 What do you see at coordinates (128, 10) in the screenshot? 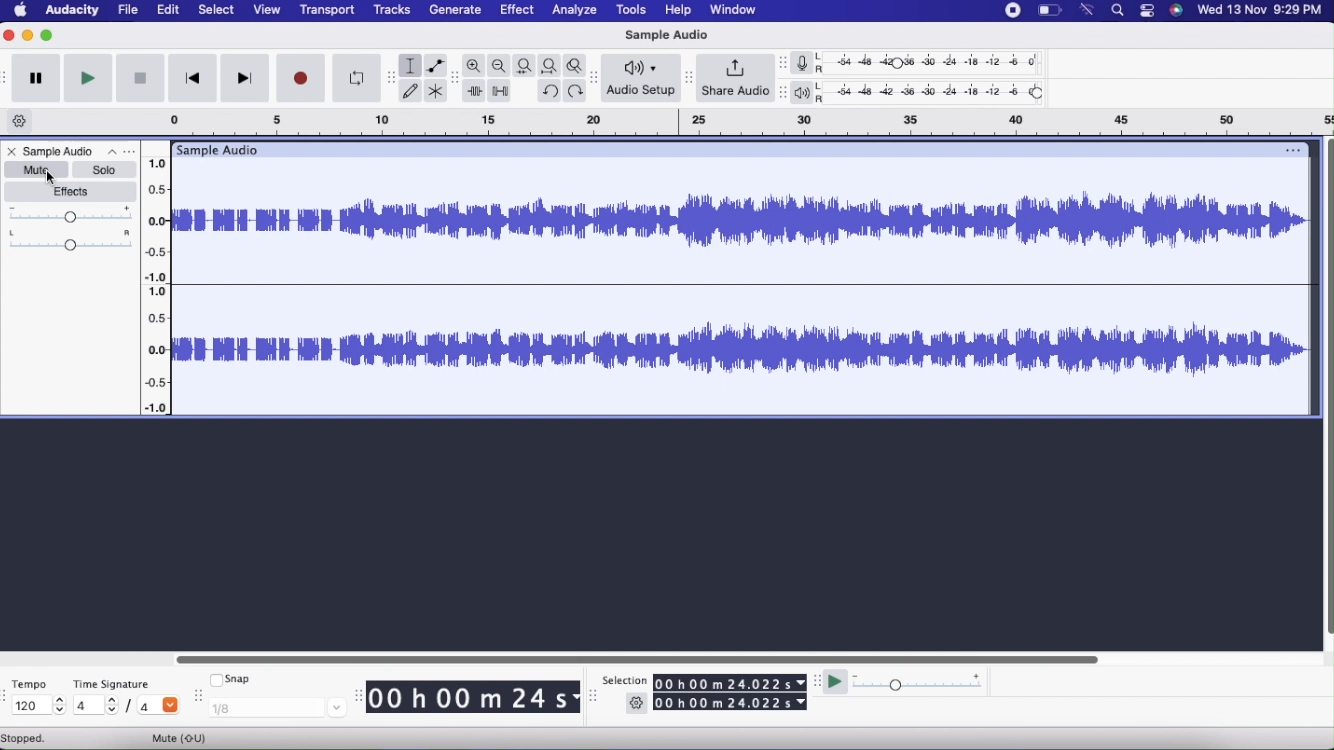
I see `File` at bounding box center [128, 10].